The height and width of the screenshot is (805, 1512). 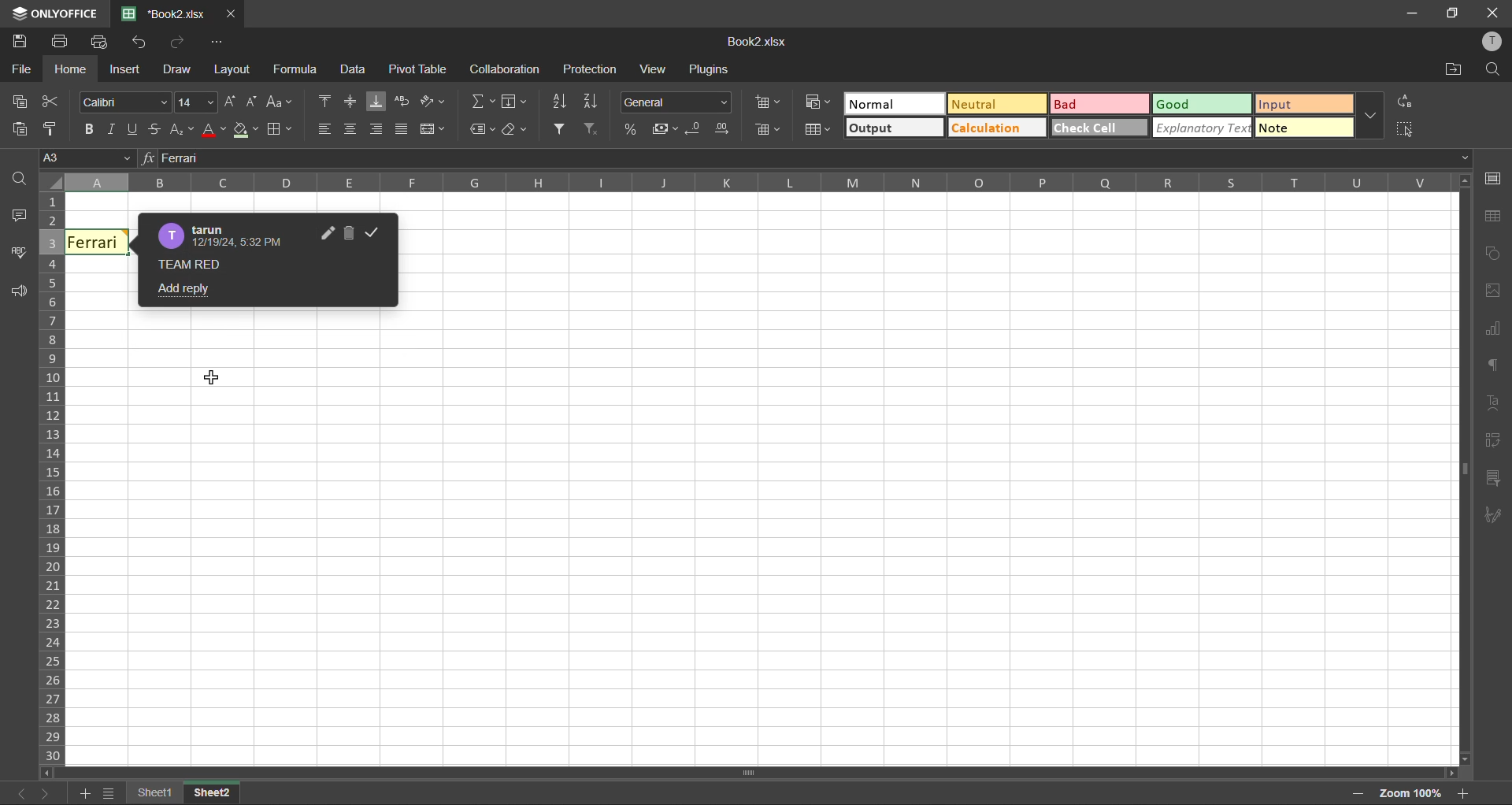 What do you see at coordinates (180, 43) in the screenshot?
I see `redo` at bounding box center [180, 43].